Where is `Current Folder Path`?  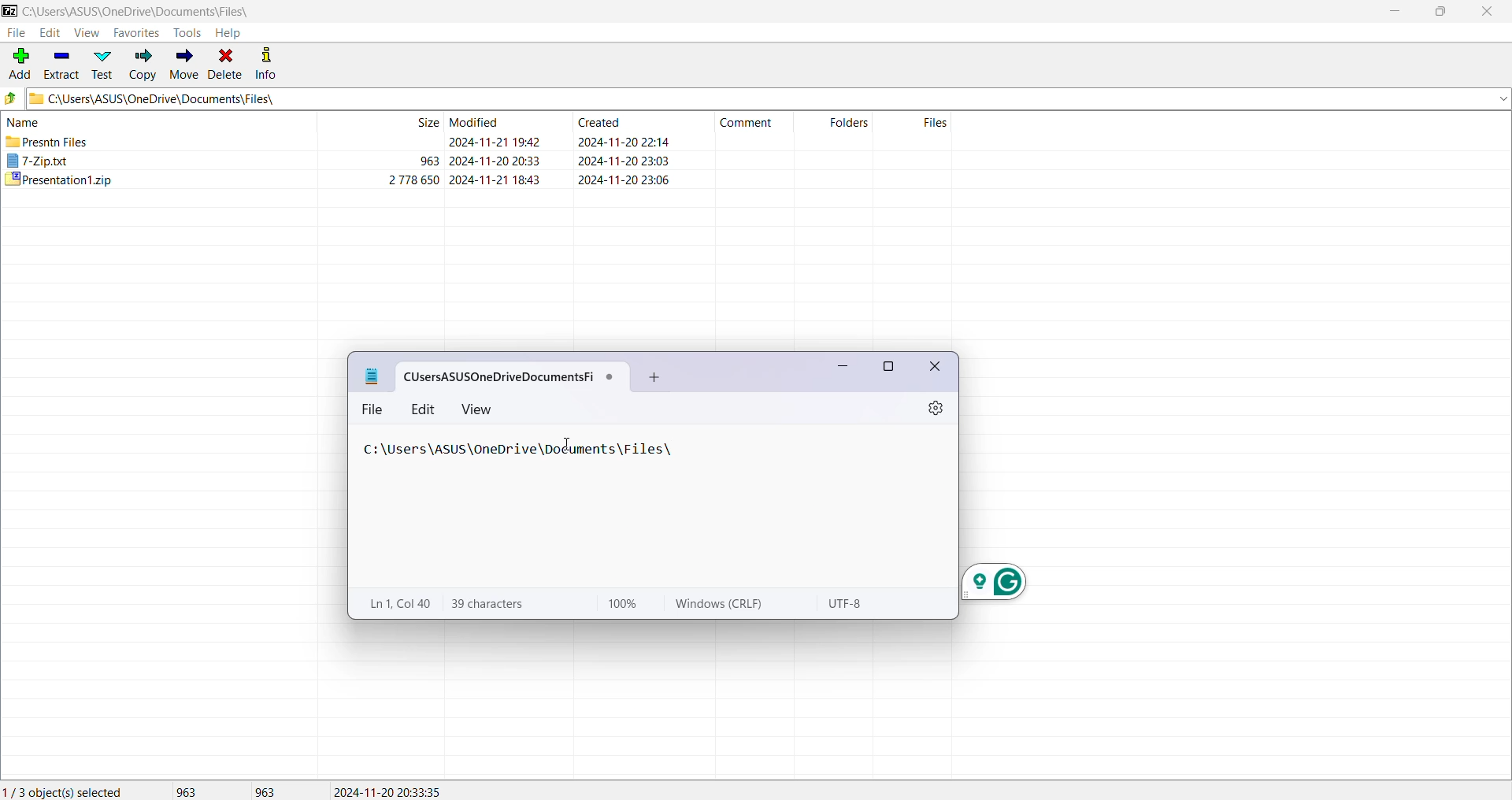 Current Folder Path is located at coordinates (138, 12).